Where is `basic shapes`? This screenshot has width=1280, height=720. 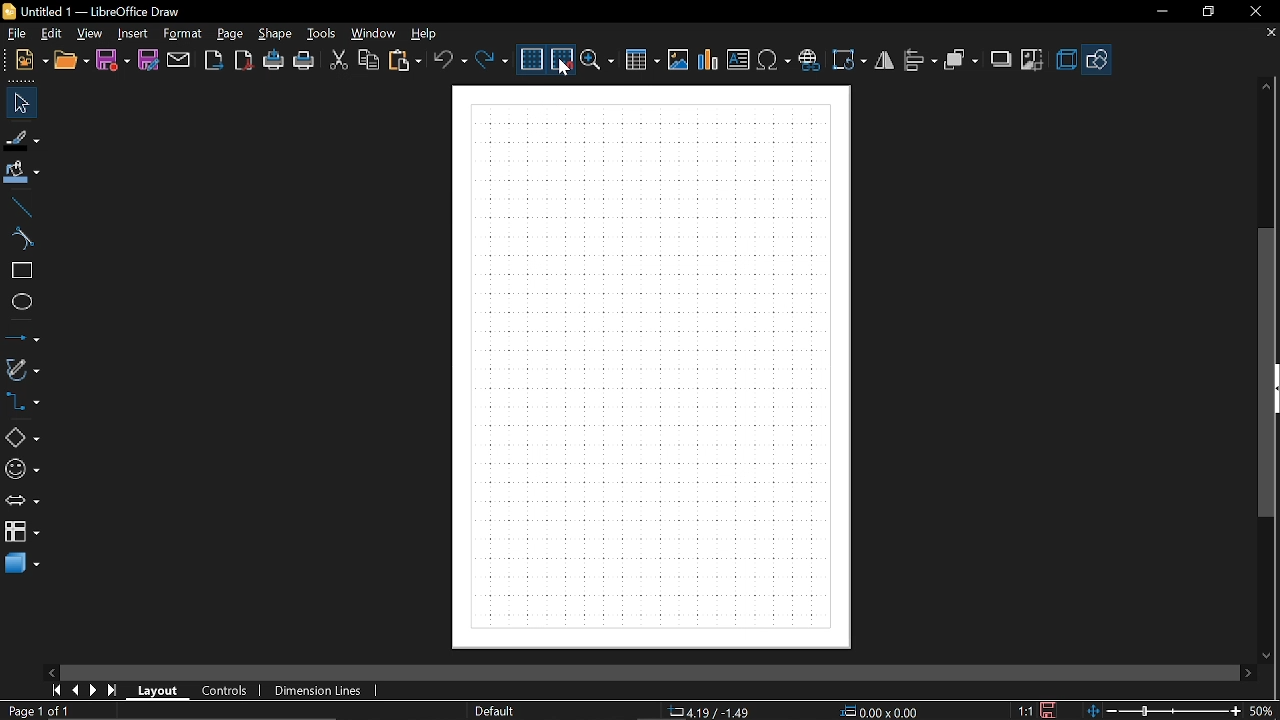 basic shapes is located at coordinates (1101, 60).